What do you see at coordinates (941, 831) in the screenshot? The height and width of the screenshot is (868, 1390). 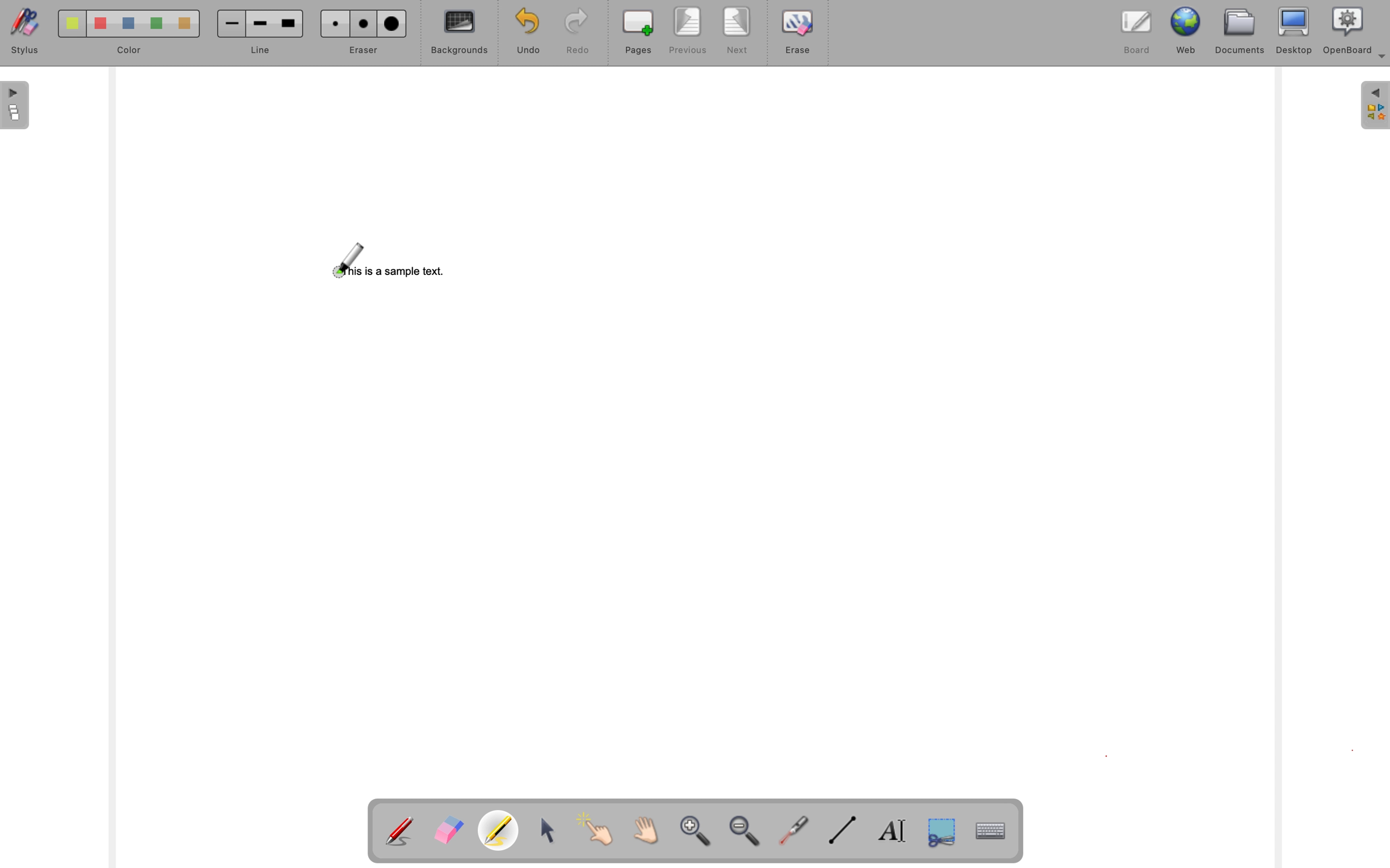 I see `capture part of the screen` at bounding box center [941, 831].